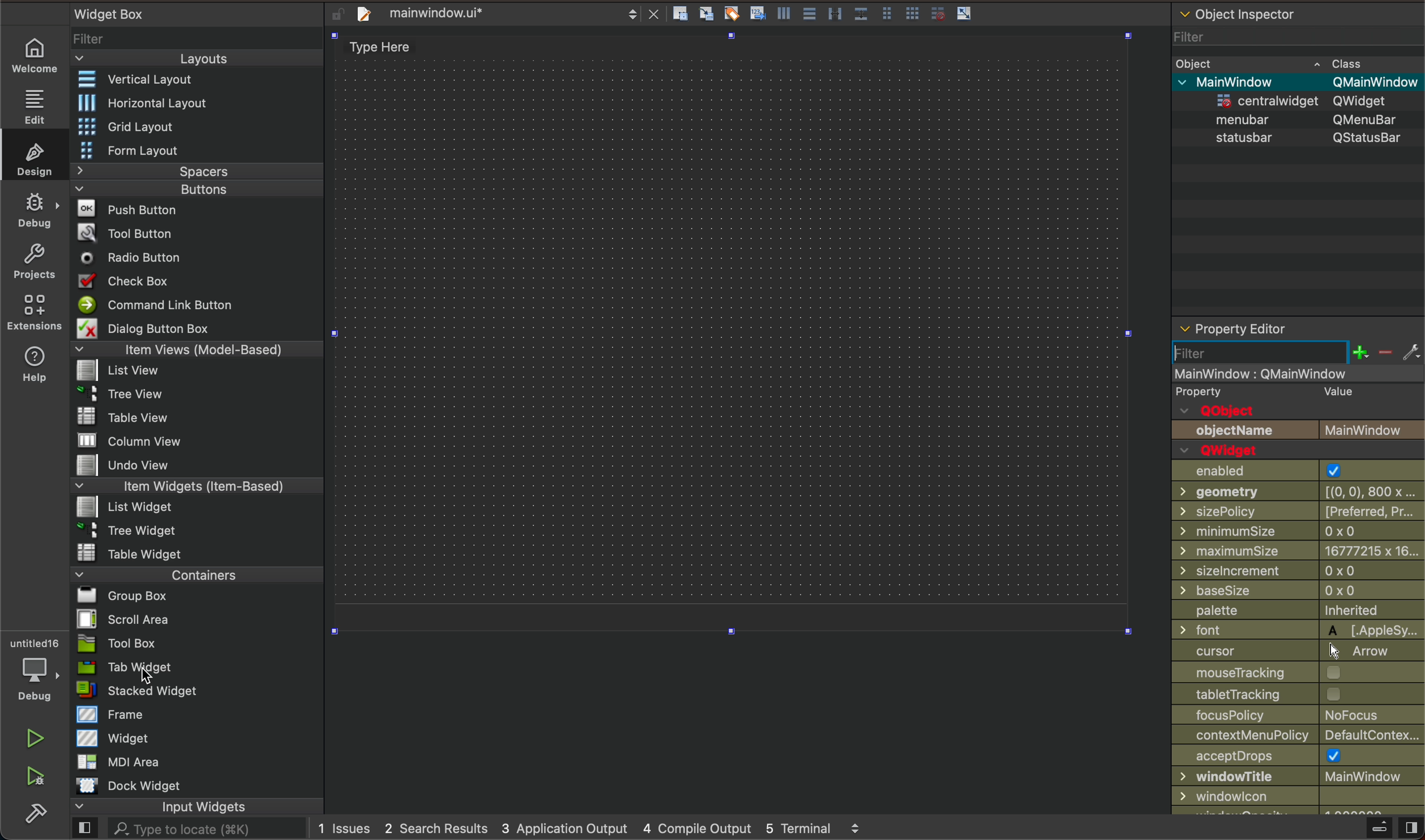  I want to click on Frame, so click(105, 714).